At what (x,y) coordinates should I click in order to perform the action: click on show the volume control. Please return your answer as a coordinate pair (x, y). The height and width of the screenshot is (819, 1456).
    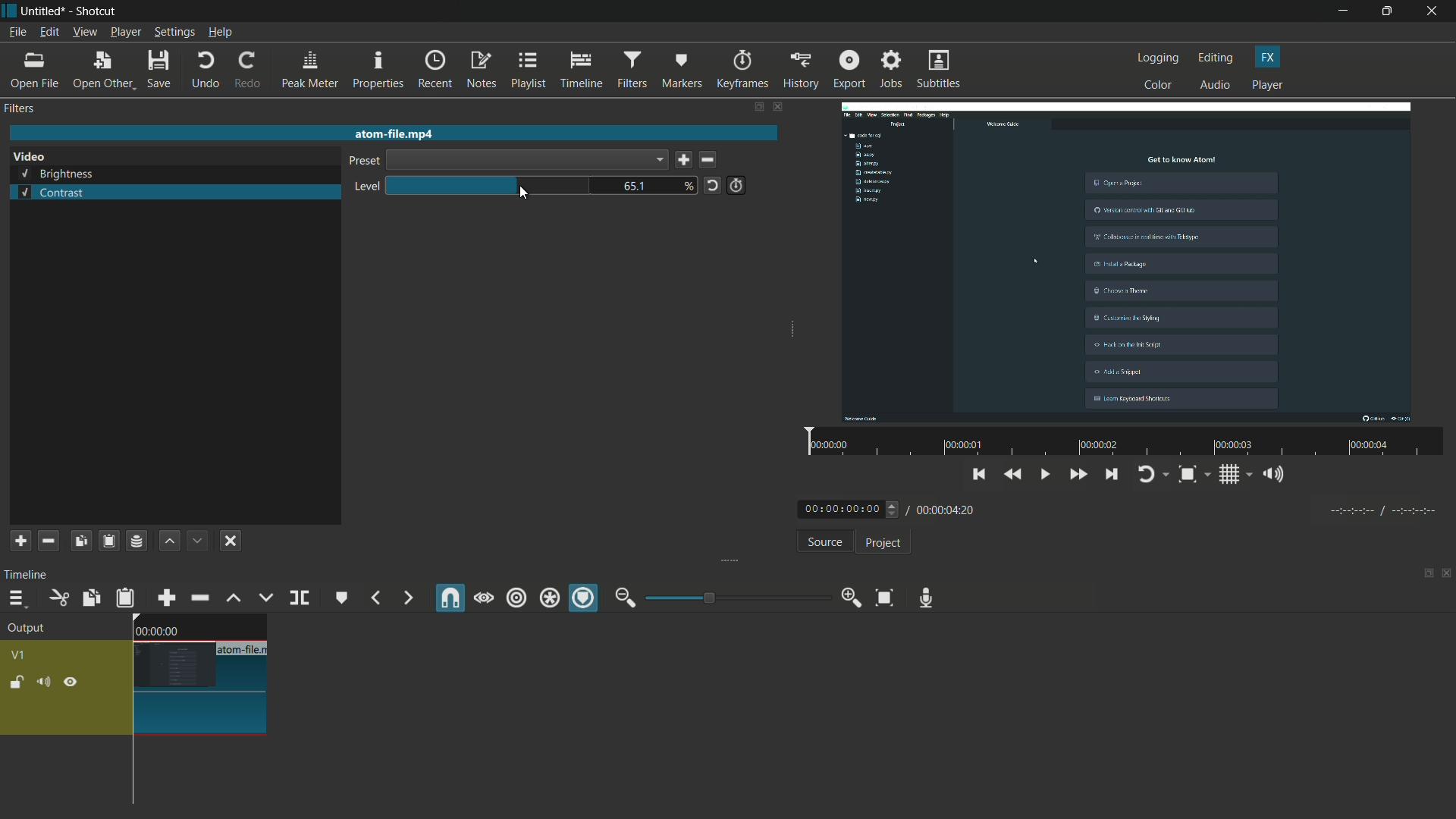
    Looking at the image, I should click on (1278, 475).